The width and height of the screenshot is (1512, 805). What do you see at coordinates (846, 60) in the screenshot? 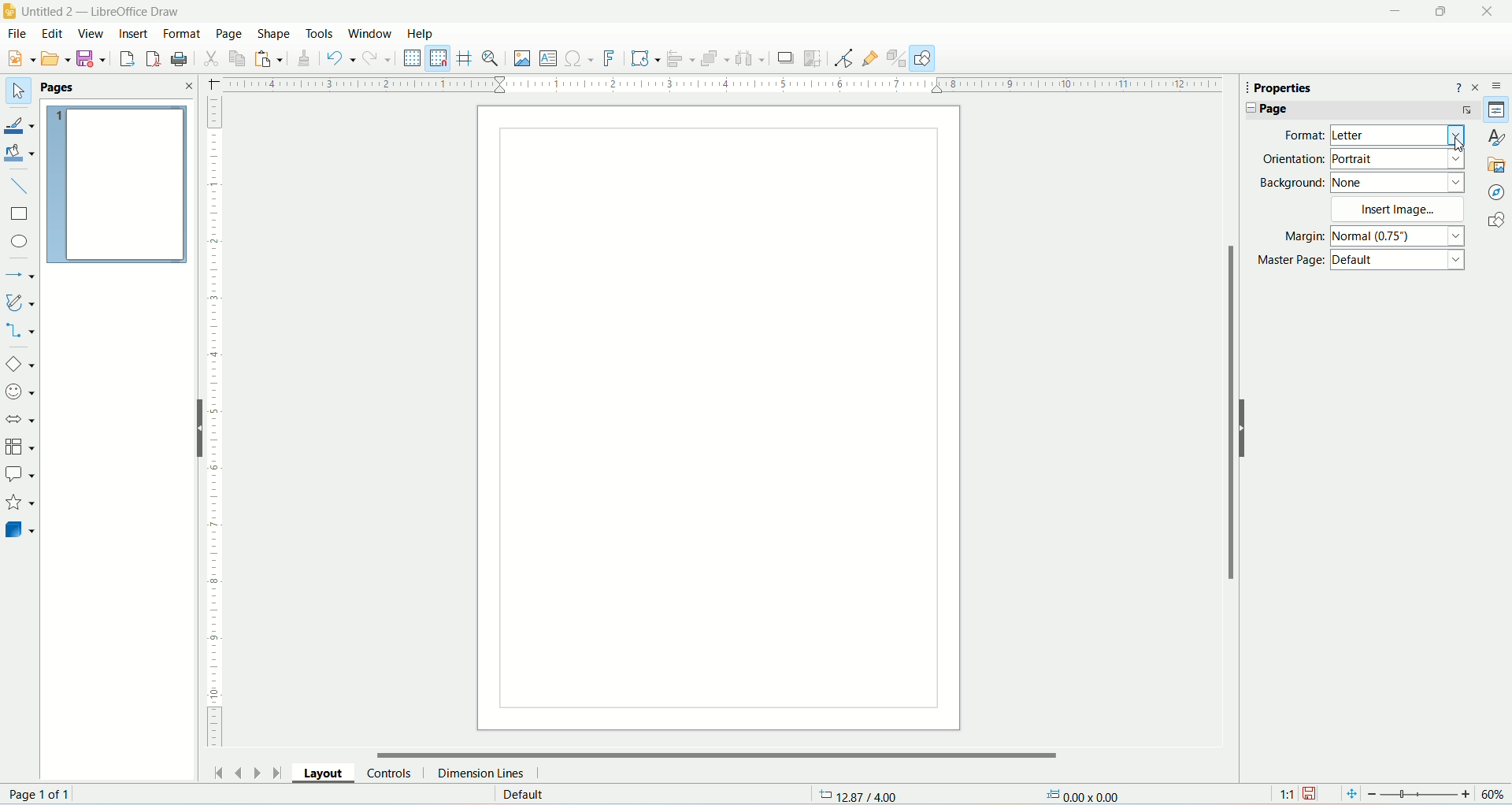
I see `point edit mode` at bounding box center [846, 60].